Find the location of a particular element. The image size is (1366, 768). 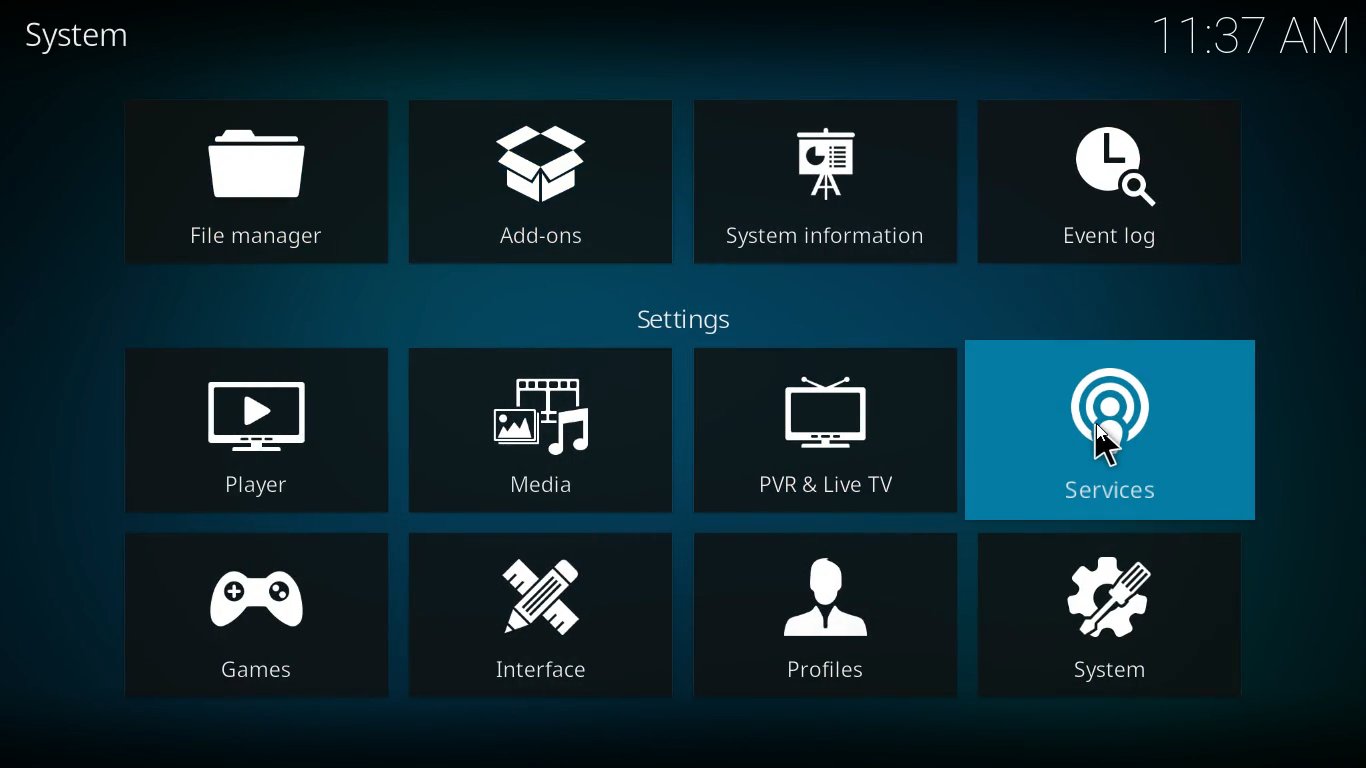

system is located at coordinates (1119, 617).